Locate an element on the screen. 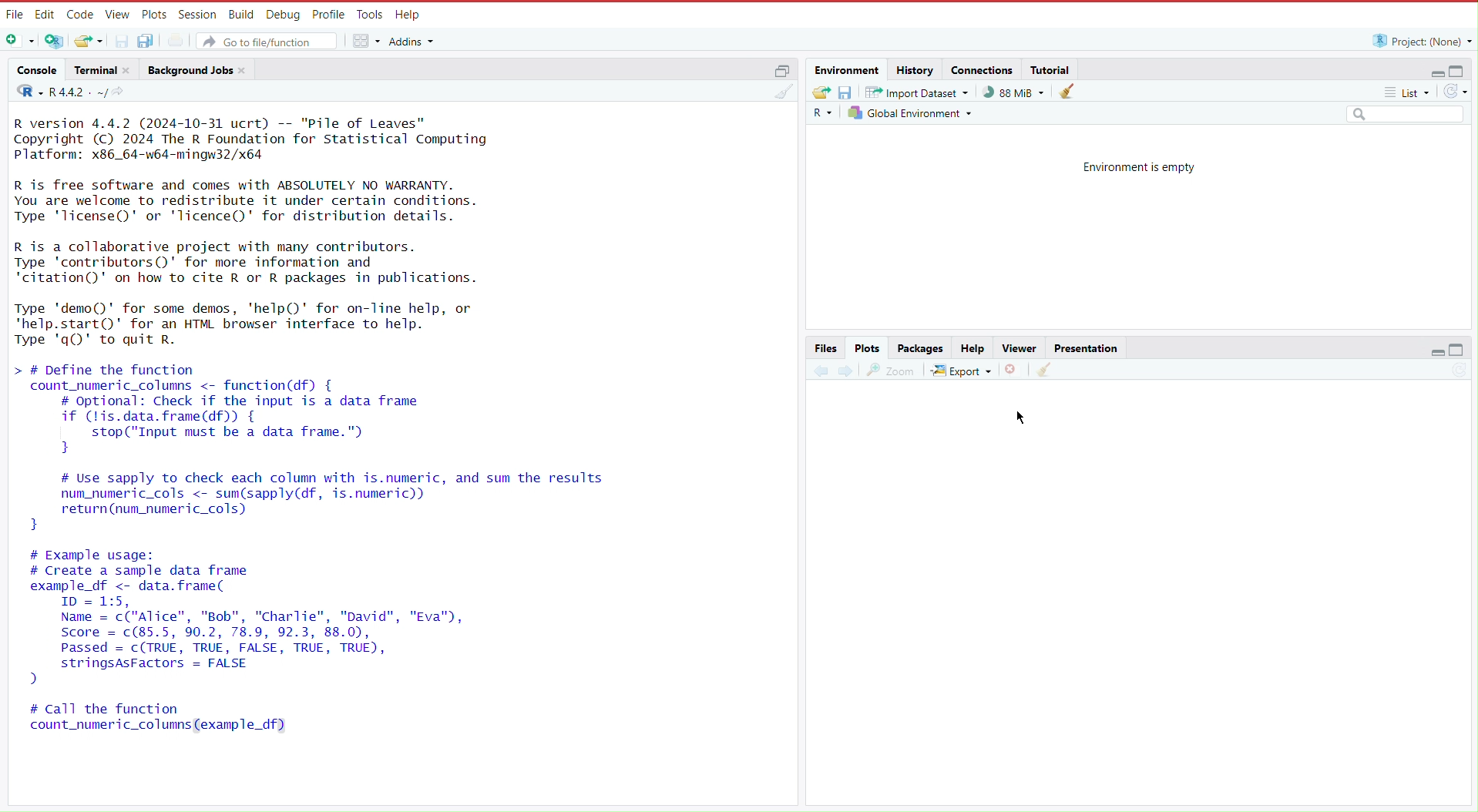  Clear console (Ctrl +L) is located at coordinates (1071, 92).